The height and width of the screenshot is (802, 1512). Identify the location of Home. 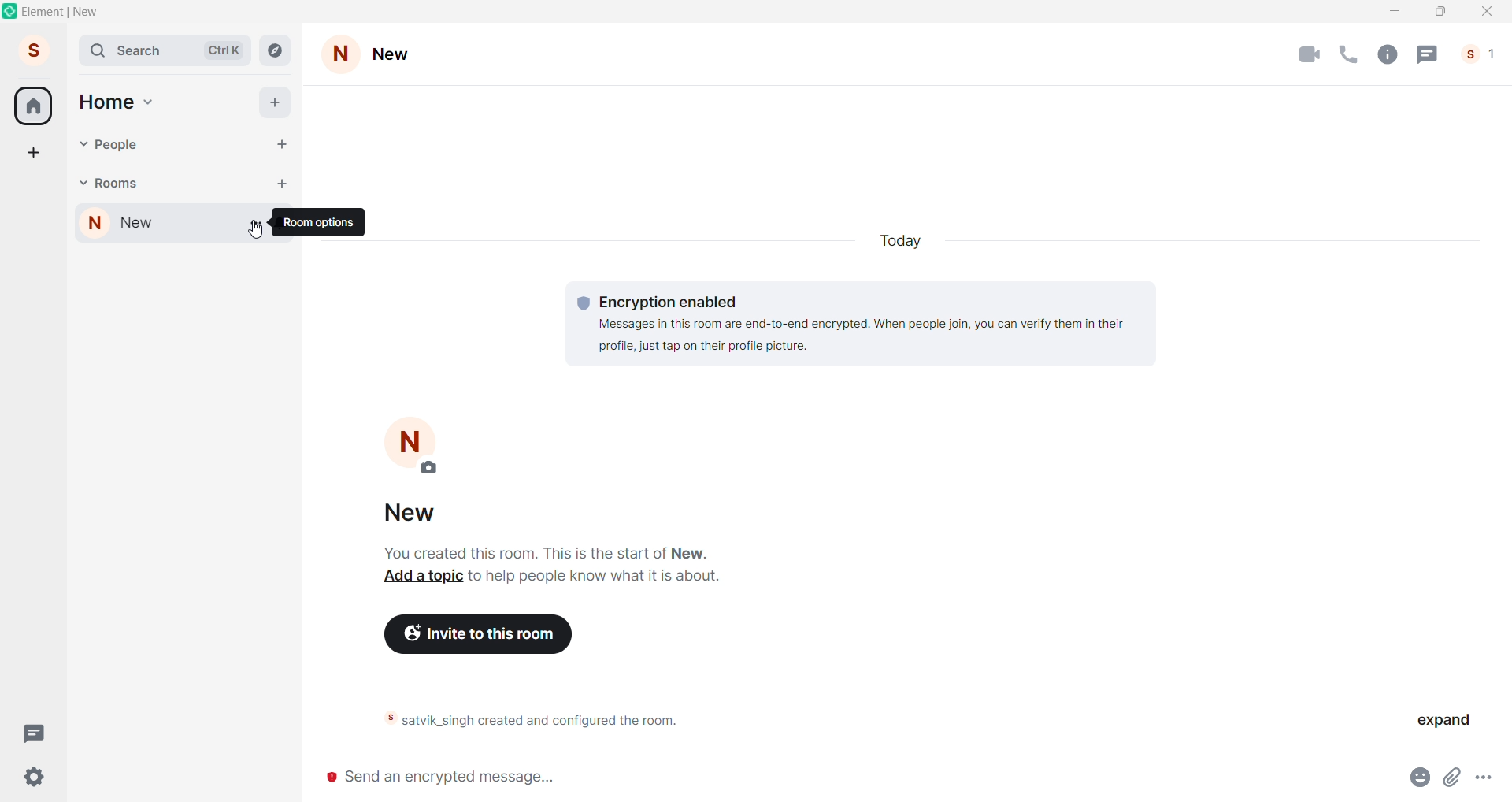
(34, 106).